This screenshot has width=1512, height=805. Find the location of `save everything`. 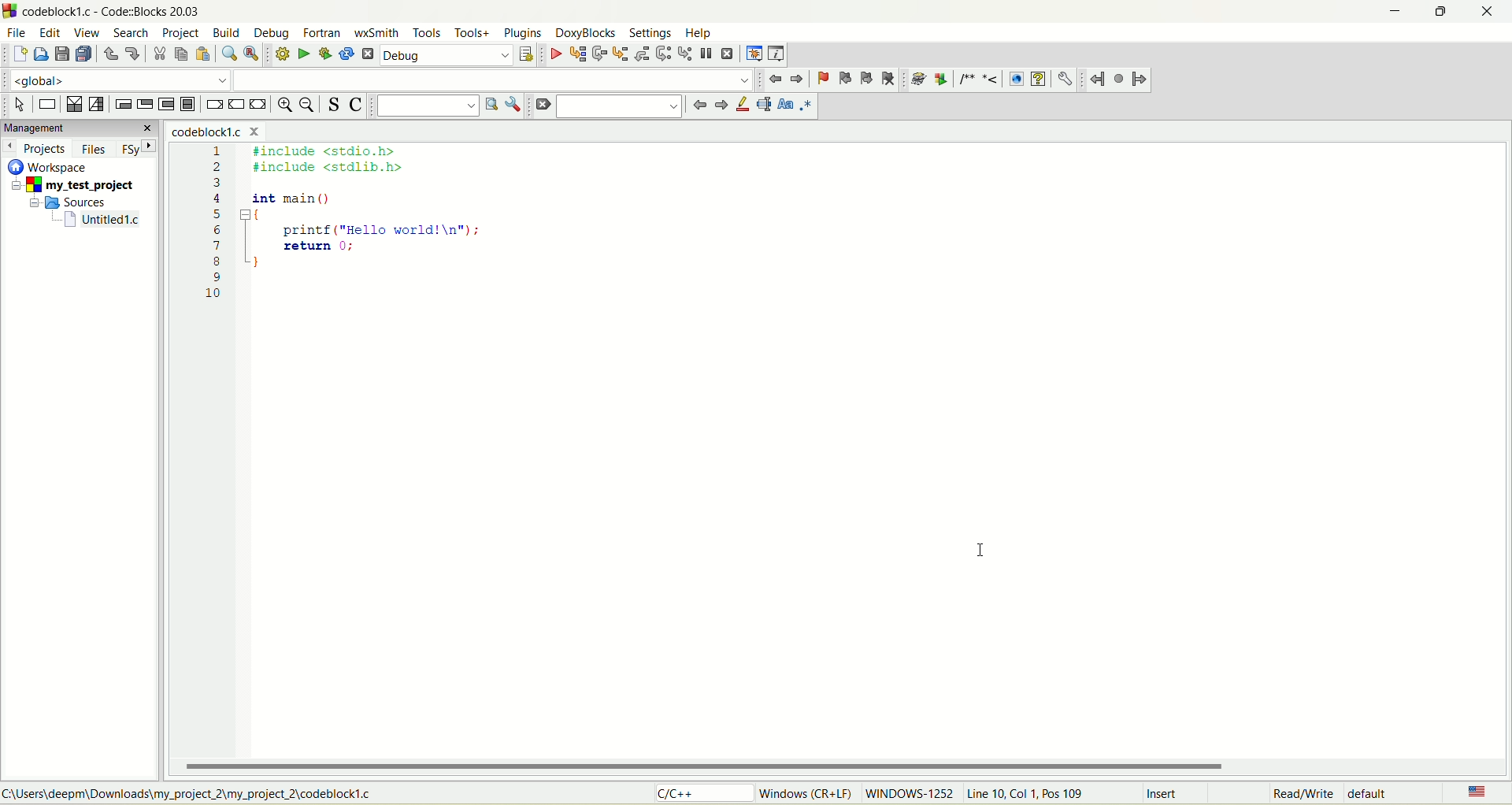

save everything is located at coordinates (83, 54).